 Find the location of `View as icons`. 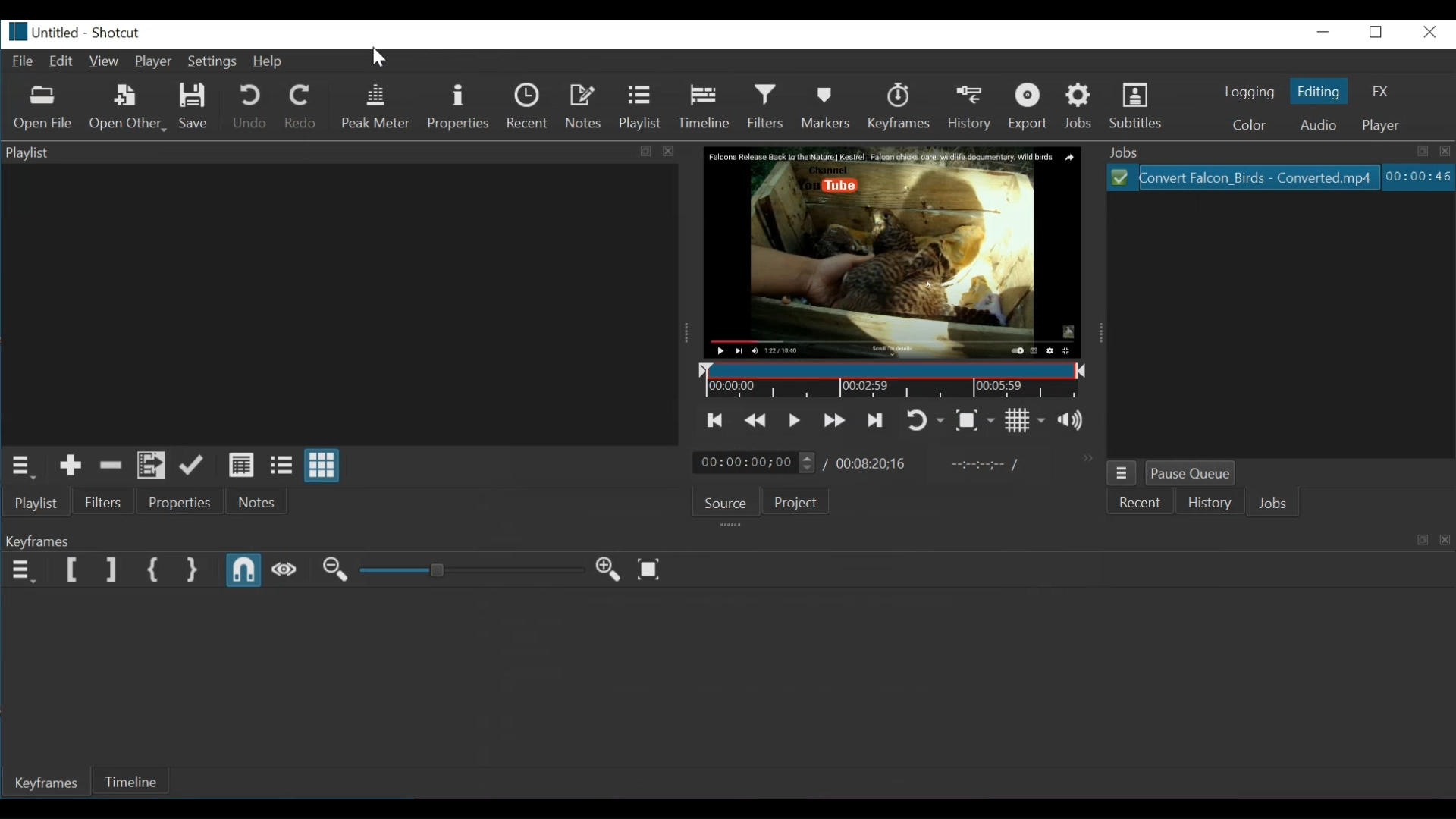

View as icons is located at coordinates (322, 465).